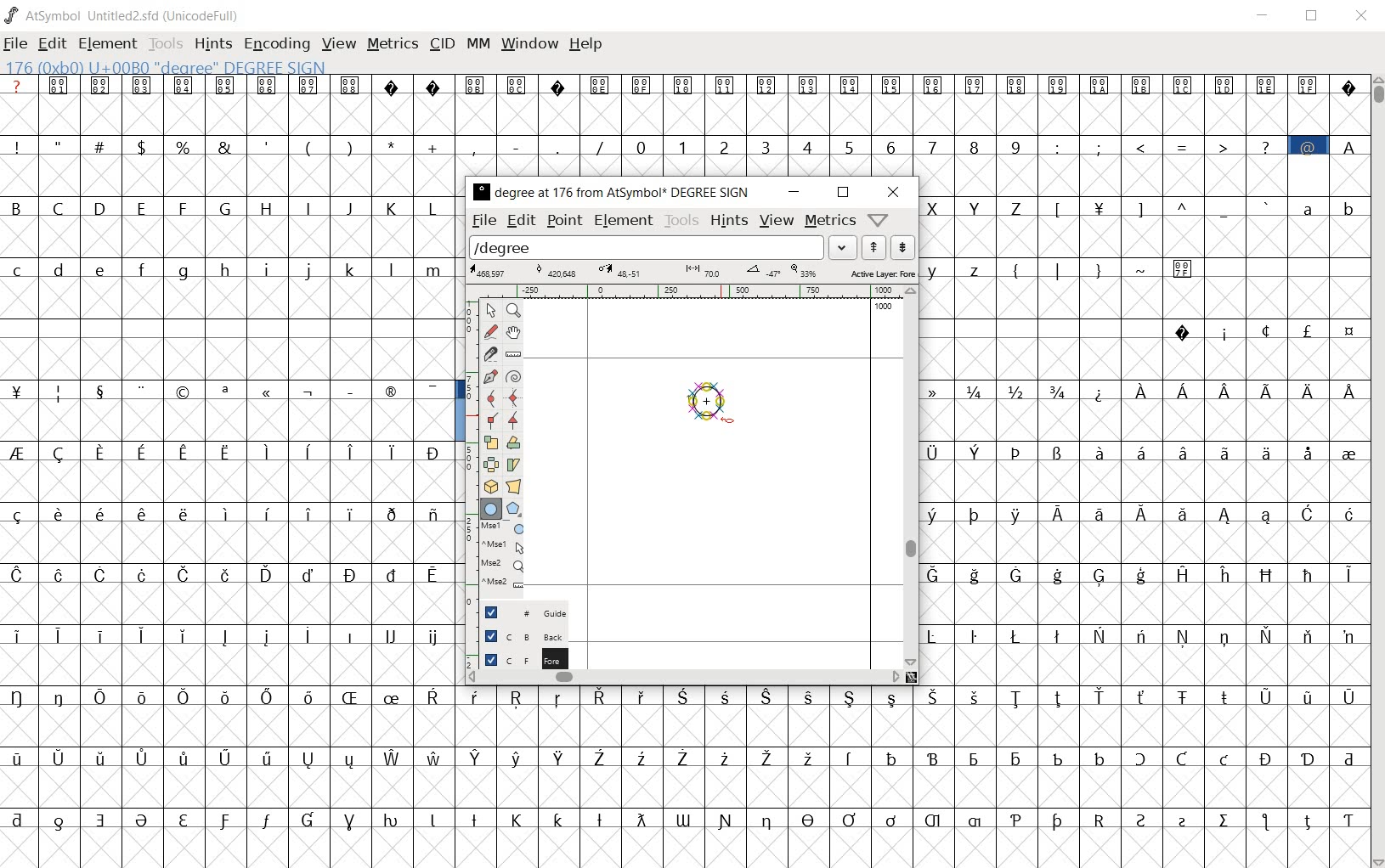  Describe the element at coordinates (911, 727) in the screenshot. I see `empty glyph slots` at that location.